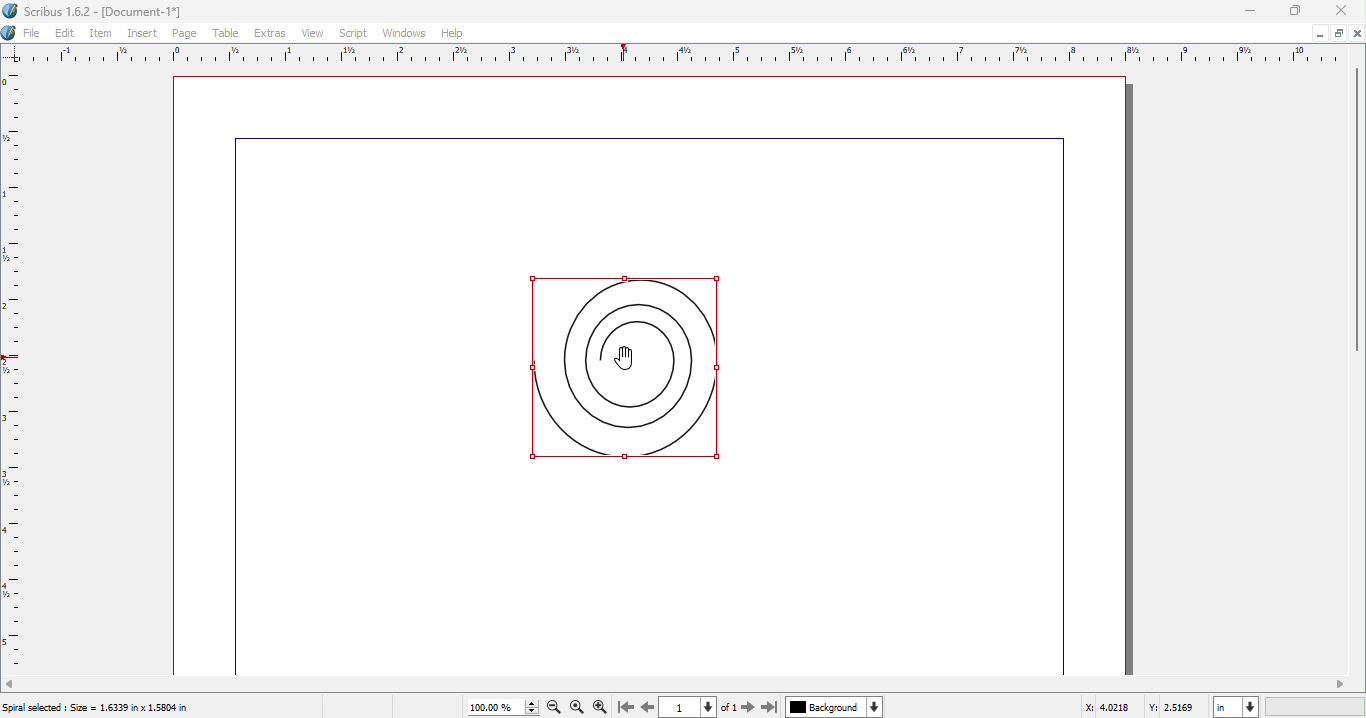  I want to click on Extras, so click(270, 35).